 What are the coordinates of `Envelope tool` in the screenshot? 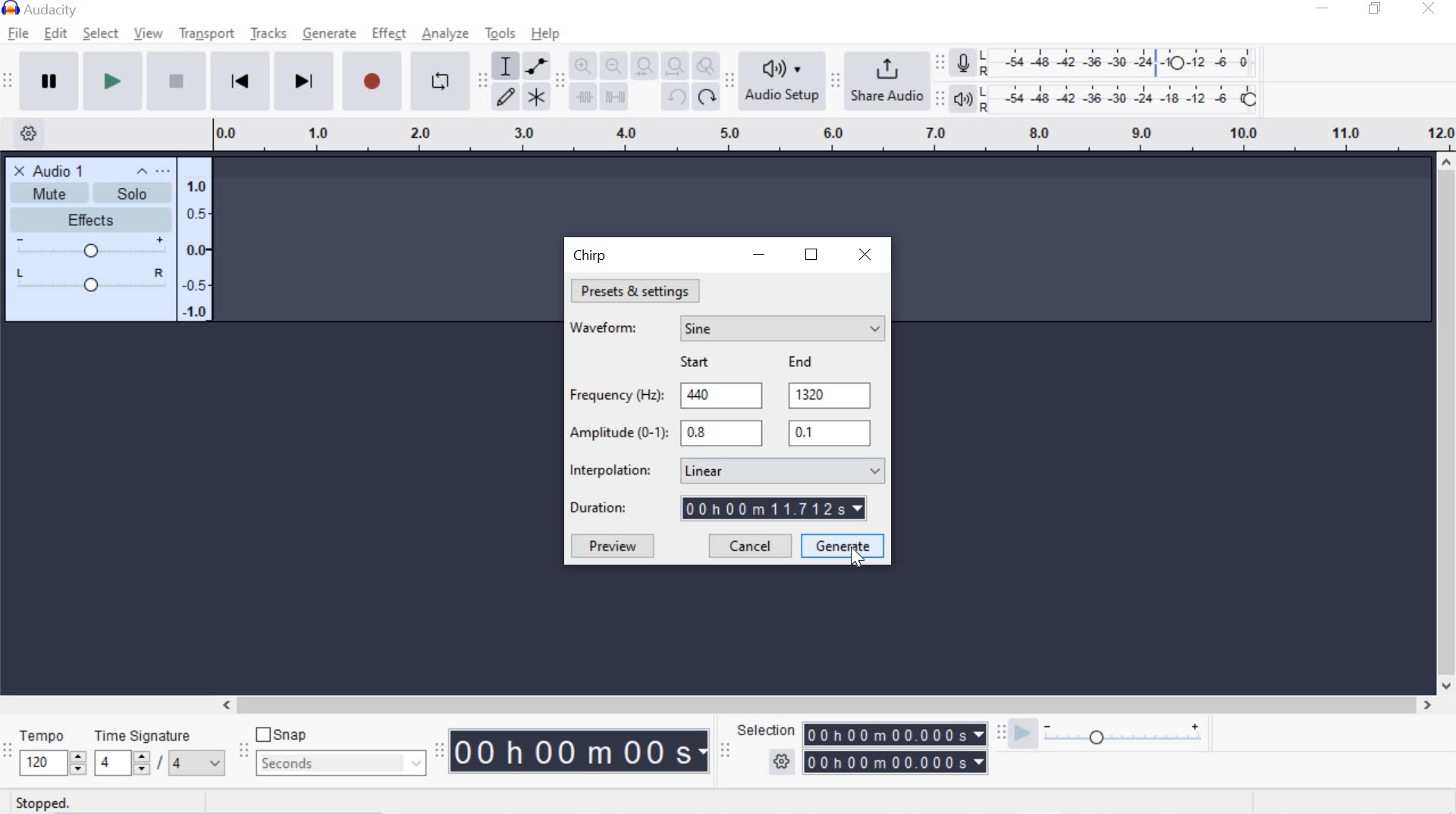 It's located at (534, 66).